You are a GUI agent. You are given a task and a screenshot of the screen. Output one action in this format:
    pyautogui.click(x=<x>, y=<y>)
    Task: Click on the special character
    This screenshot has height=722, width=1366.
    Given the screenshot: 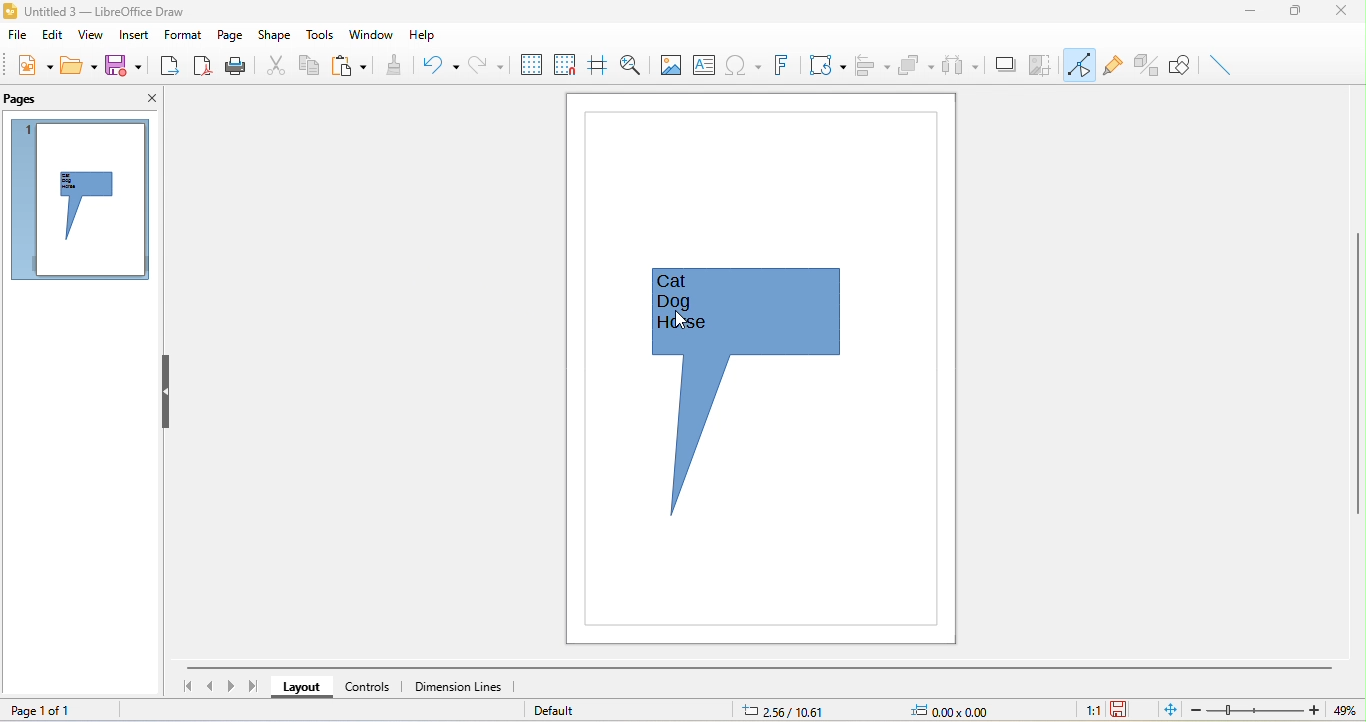 What is the action you would take?
    pyautogui.click(x=743, y=64)
    